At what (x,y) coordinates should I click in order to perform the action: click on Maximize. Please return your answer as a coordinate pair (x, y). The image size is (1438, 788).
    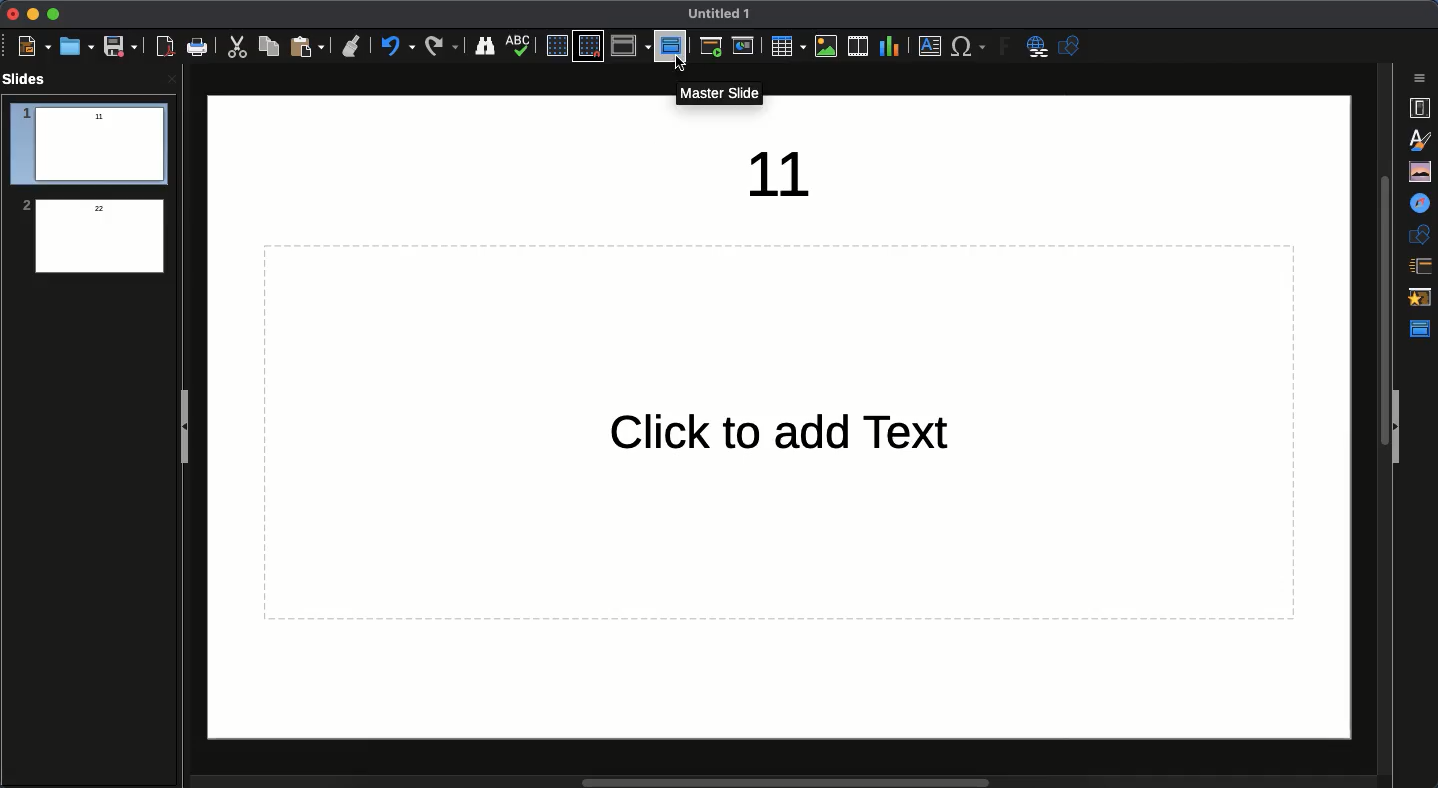
    Looking at the image, I should click on (52, 14).